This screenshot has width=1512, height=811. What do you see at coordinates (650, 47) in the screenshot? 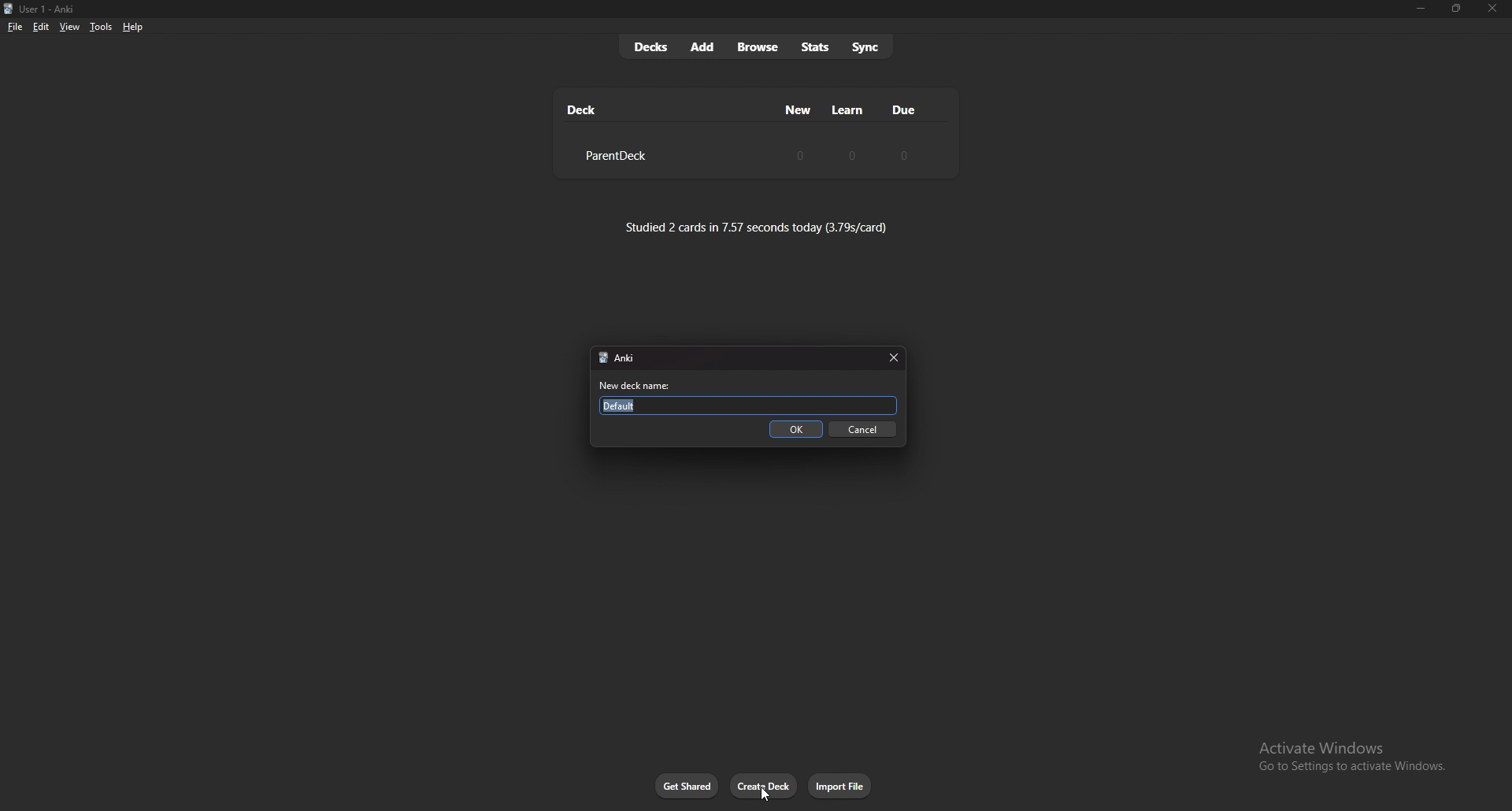
I see `decks` at bounding box center [650, 47].